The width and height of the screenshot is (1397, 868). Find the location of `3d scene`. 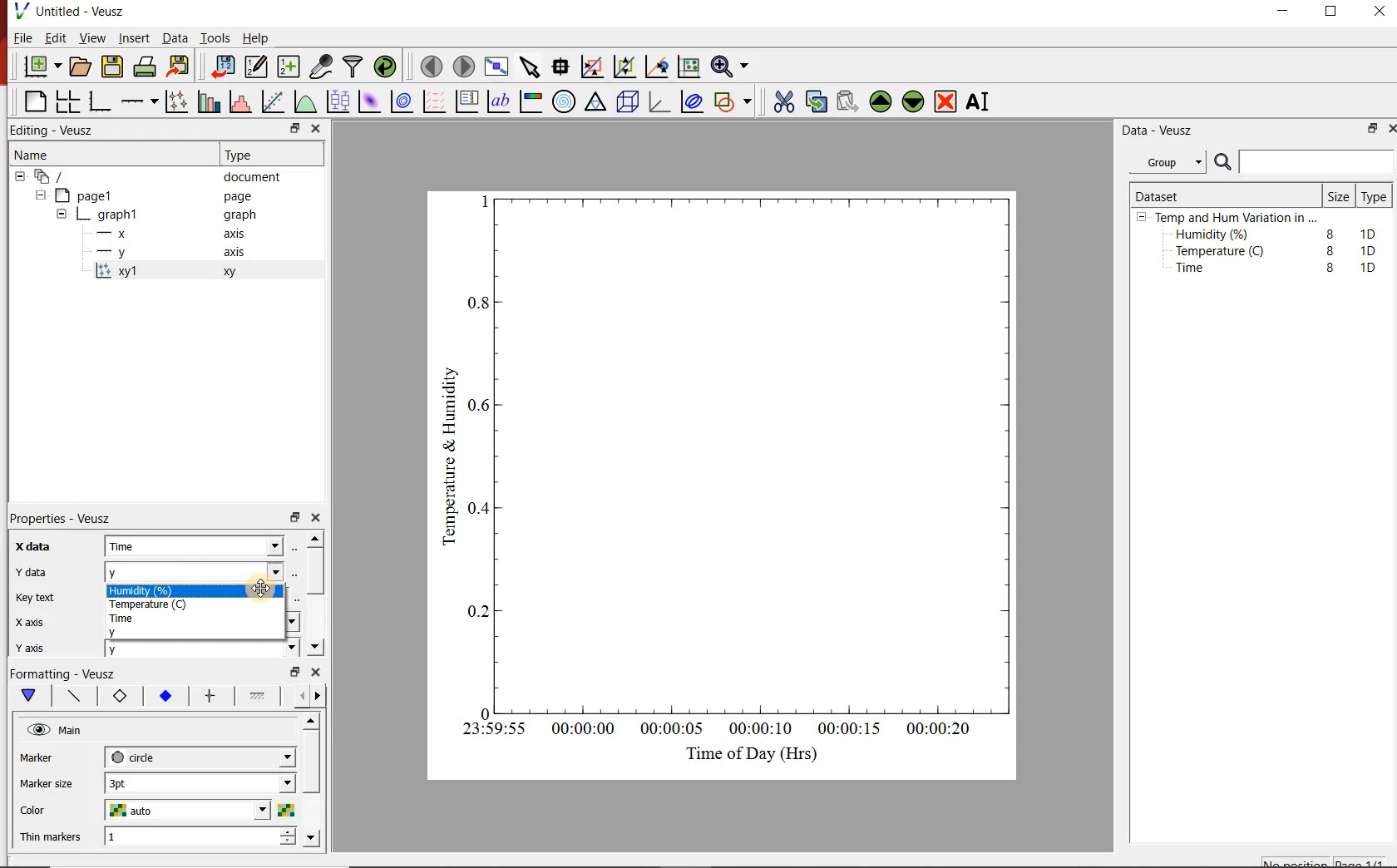

3d scene is located at coordinates (629, 104).